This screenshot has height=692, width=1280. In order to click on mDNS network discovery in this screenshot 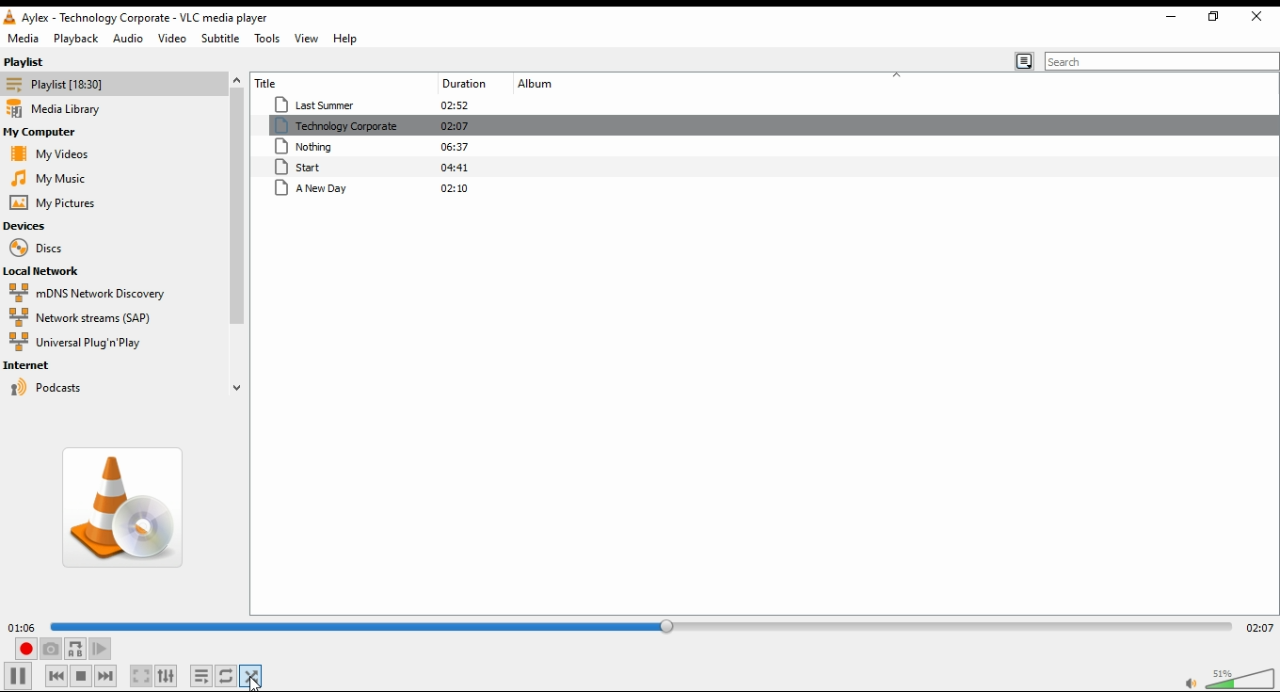, I will do `click(93, 291)`.